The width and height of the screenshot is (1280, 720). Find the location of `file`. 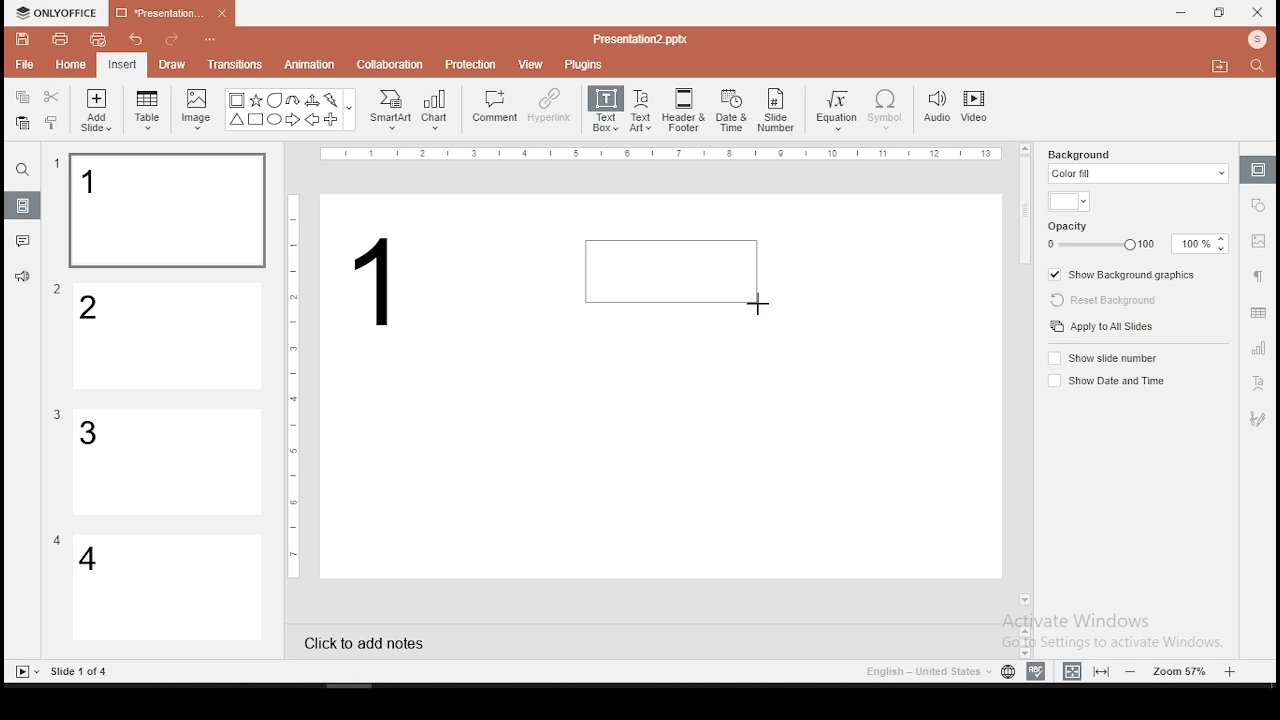

file is located at coordinates (24, 66).